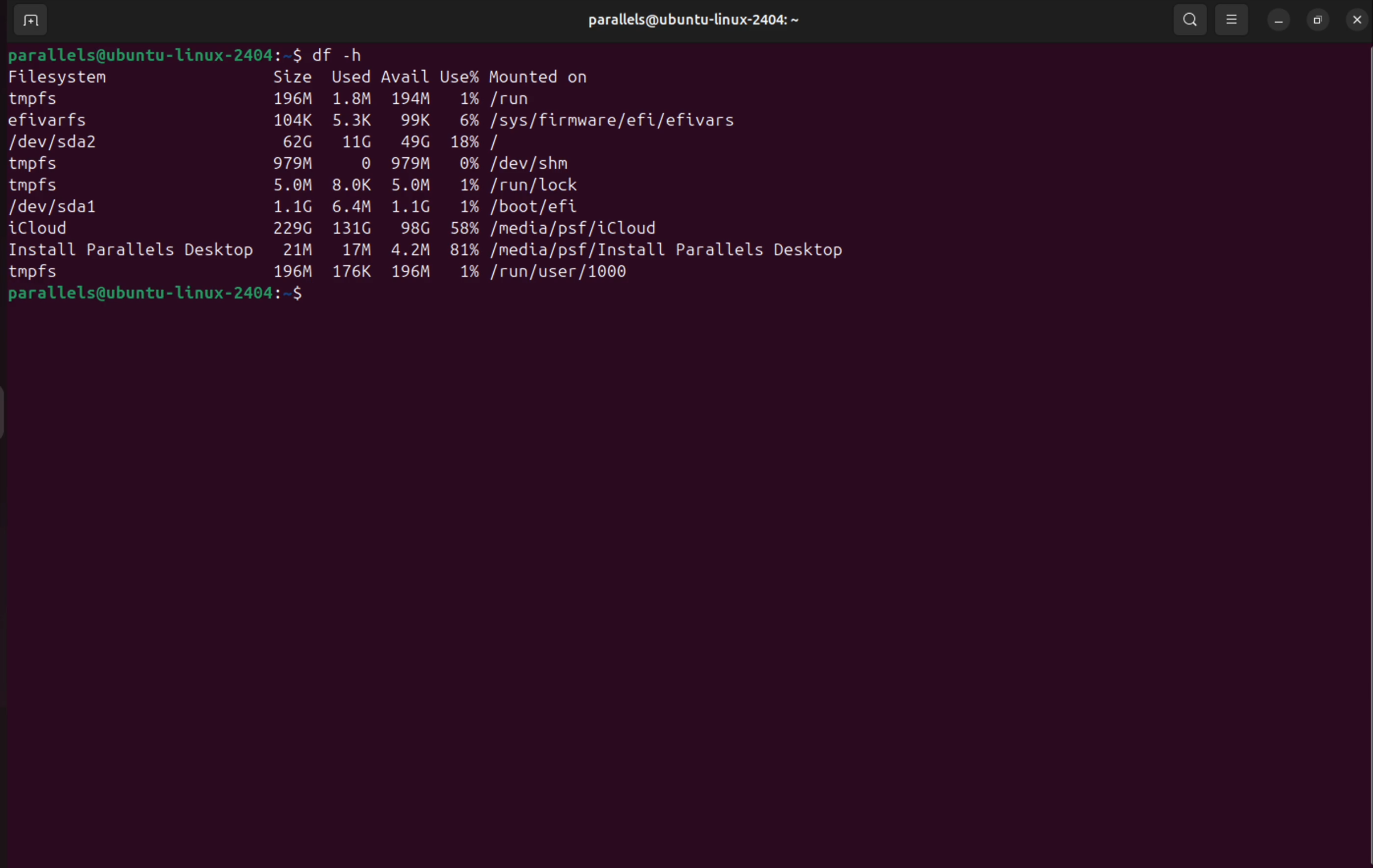 The image size is (1373, 868). Describe the element at coordinates (289, 120) in the screenshot. I see `104k` at that location.